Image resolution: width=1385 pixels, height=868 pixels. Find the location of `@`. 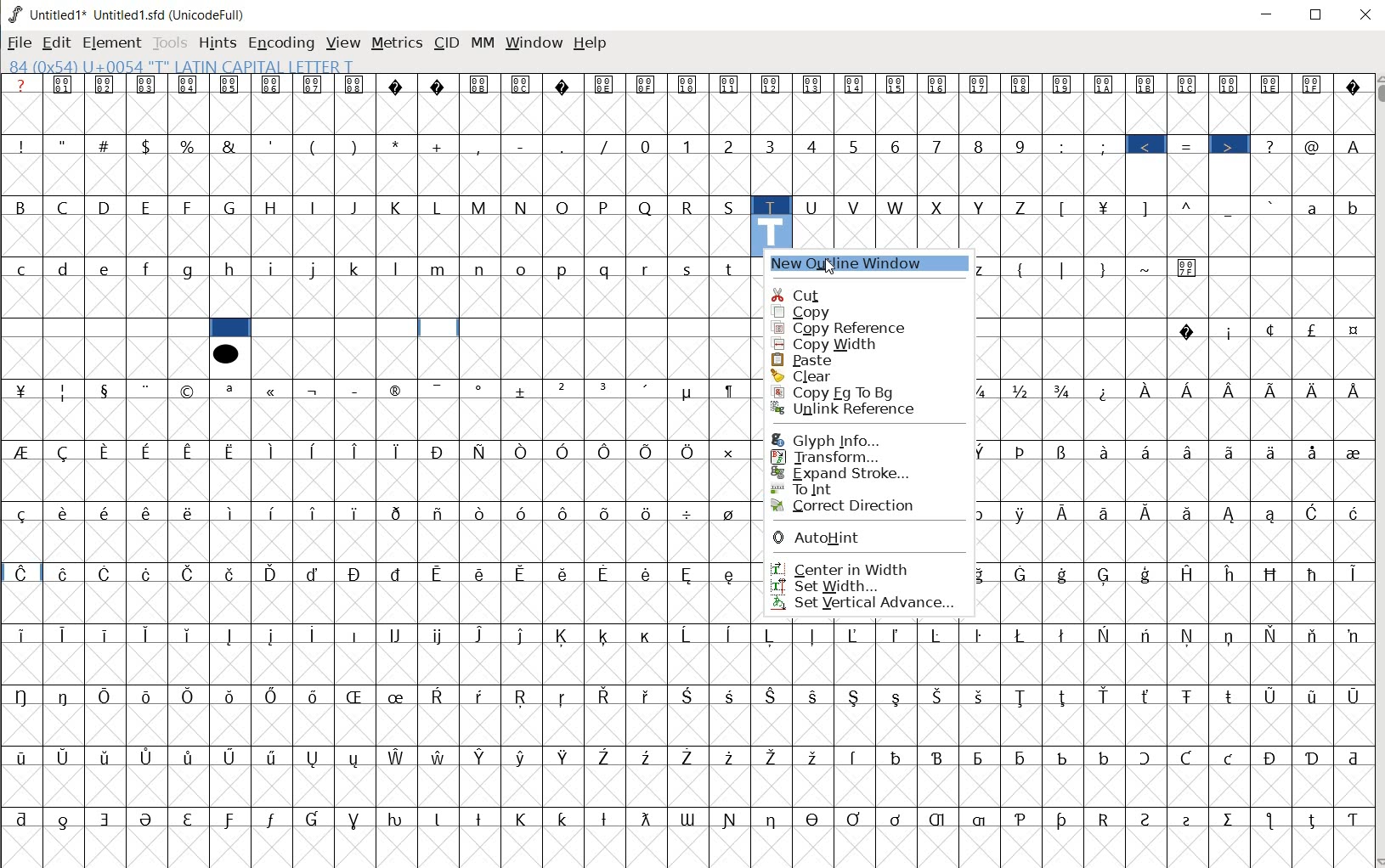

@ is located at coordinates (1314, 146).